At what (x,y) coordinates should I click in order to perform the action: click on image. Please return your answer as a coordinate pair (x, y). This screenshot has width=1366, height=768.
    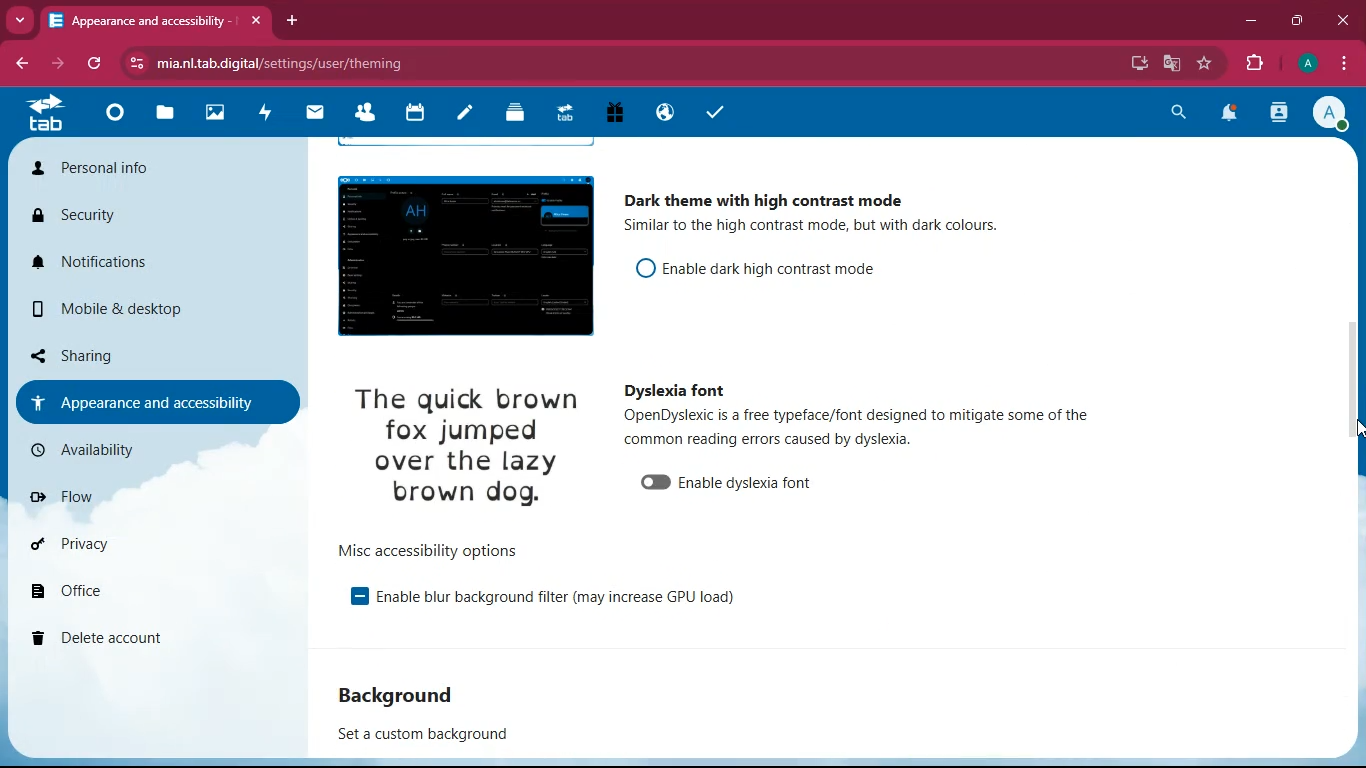
    Looking at the image, I should click on (461, 449).